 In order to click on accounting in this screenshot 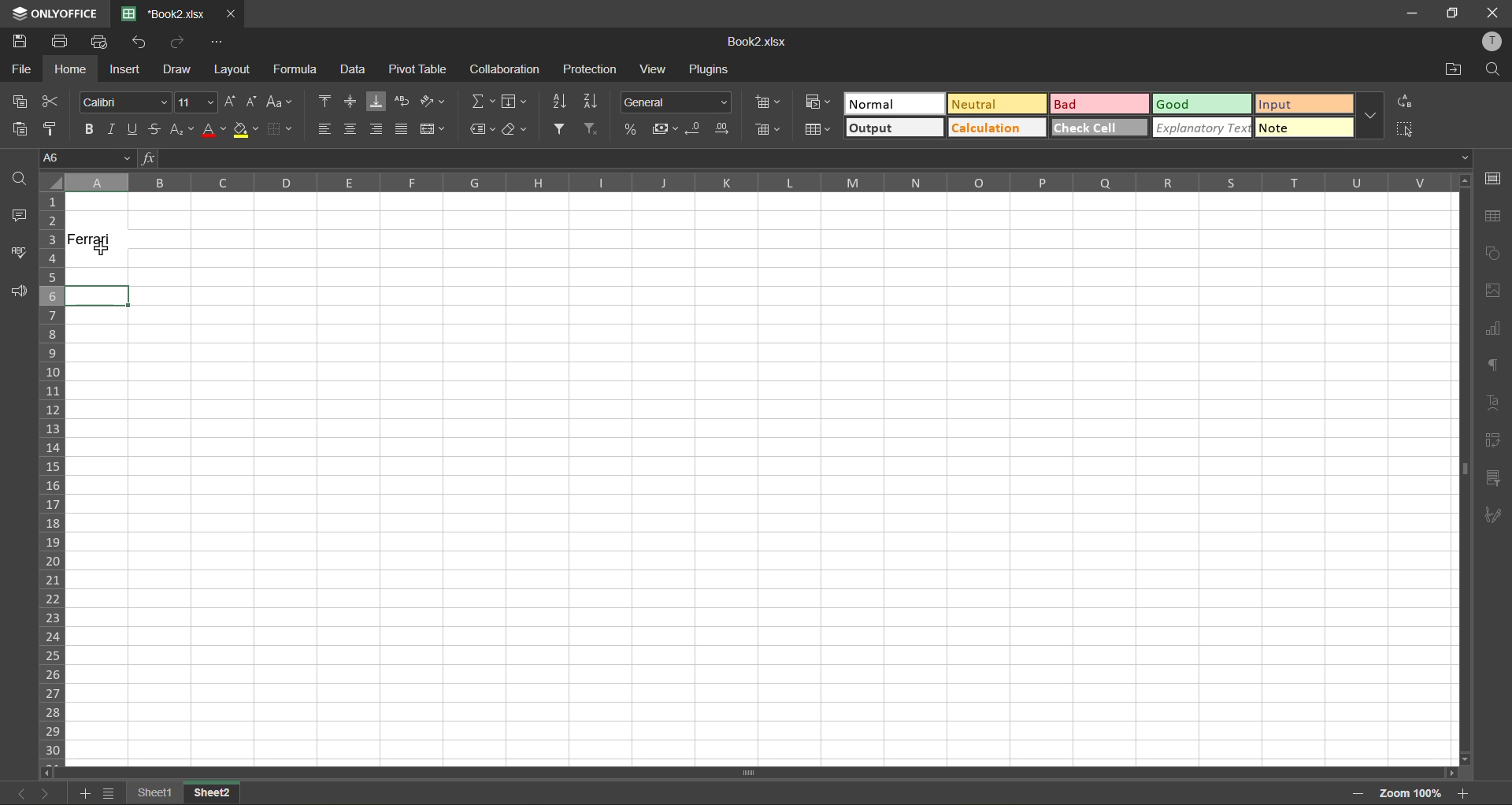, I will do `click(663, 127)`.